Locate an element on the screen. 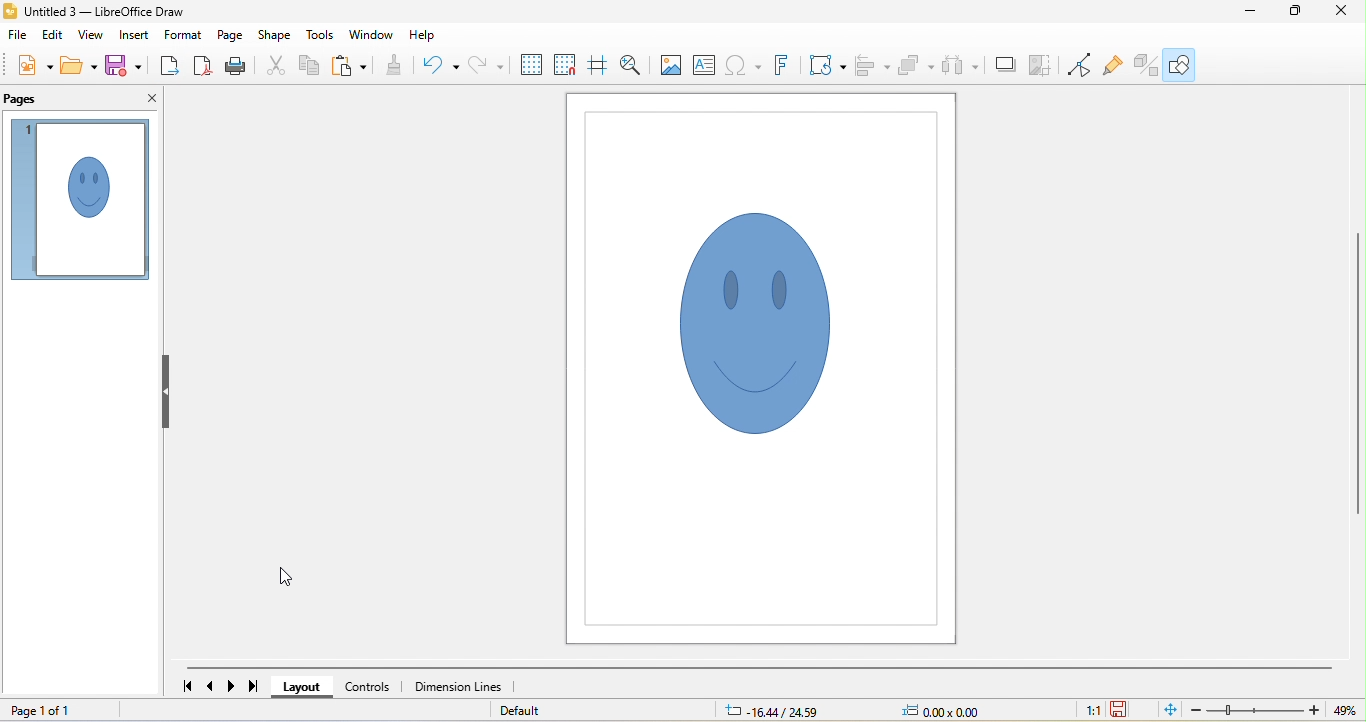  helplines while moving is located at coordinates (598, 65).